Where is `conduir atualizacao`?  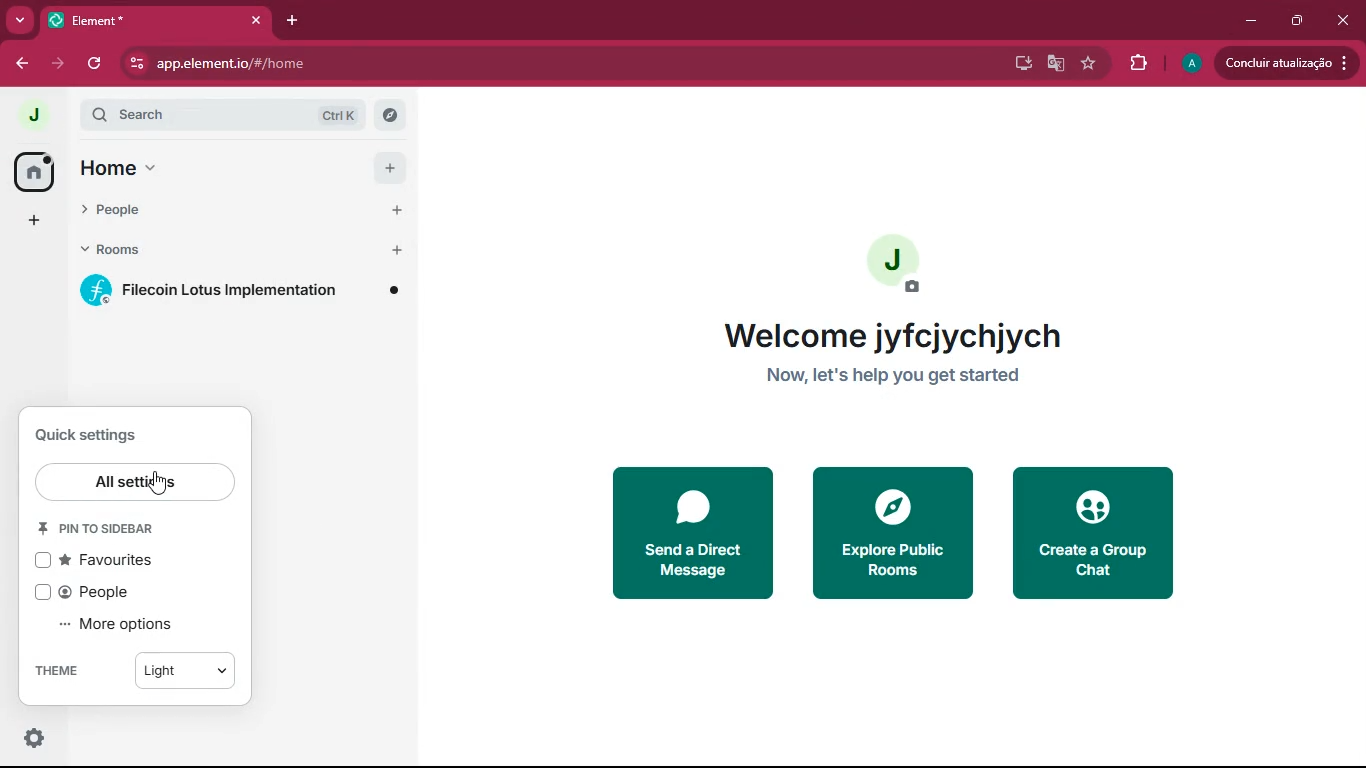 conduir atualizacao is located at coordinates (1285, 63).